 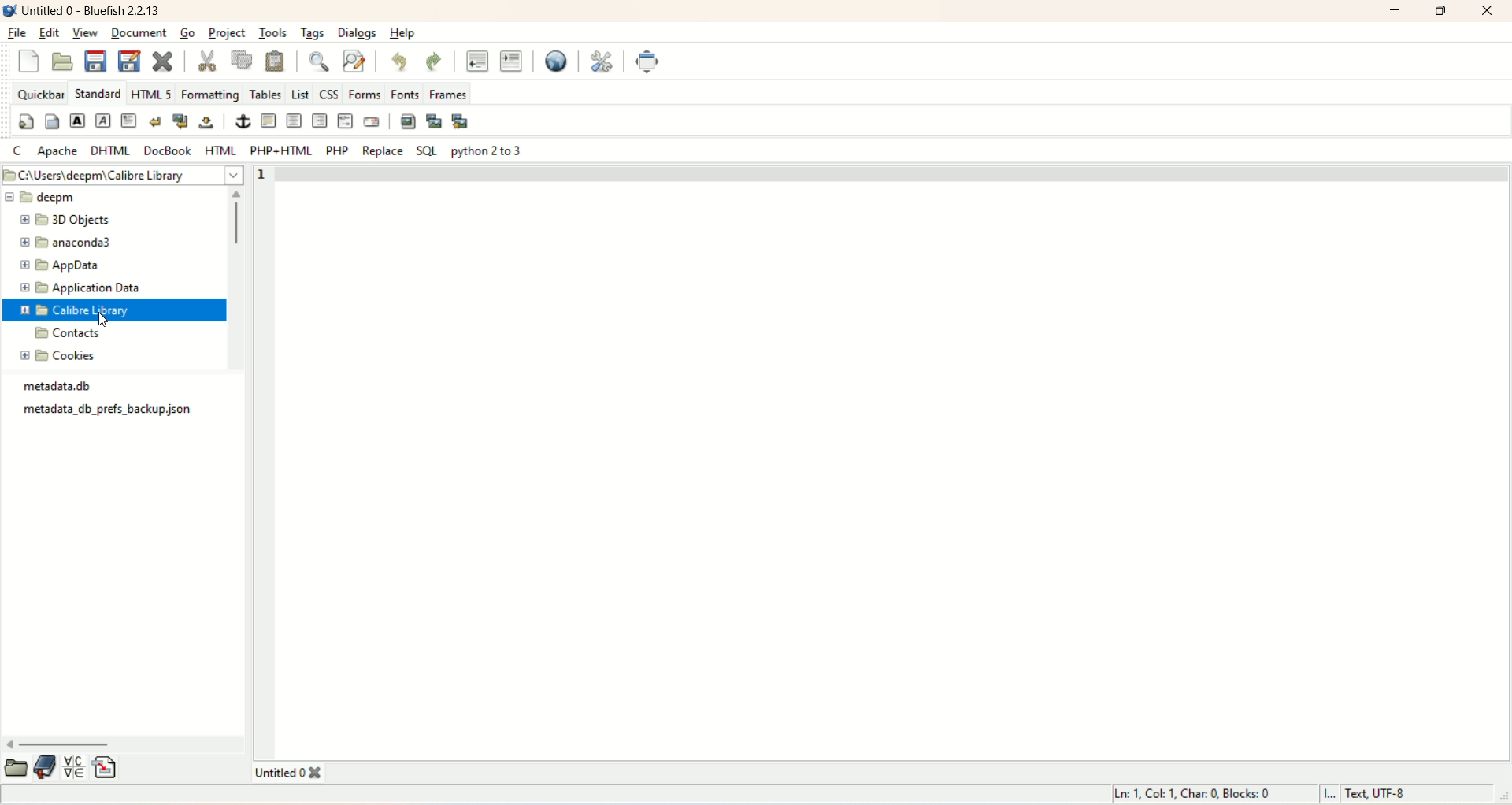 I want to click on show find bar, so click(x=322, y=63).